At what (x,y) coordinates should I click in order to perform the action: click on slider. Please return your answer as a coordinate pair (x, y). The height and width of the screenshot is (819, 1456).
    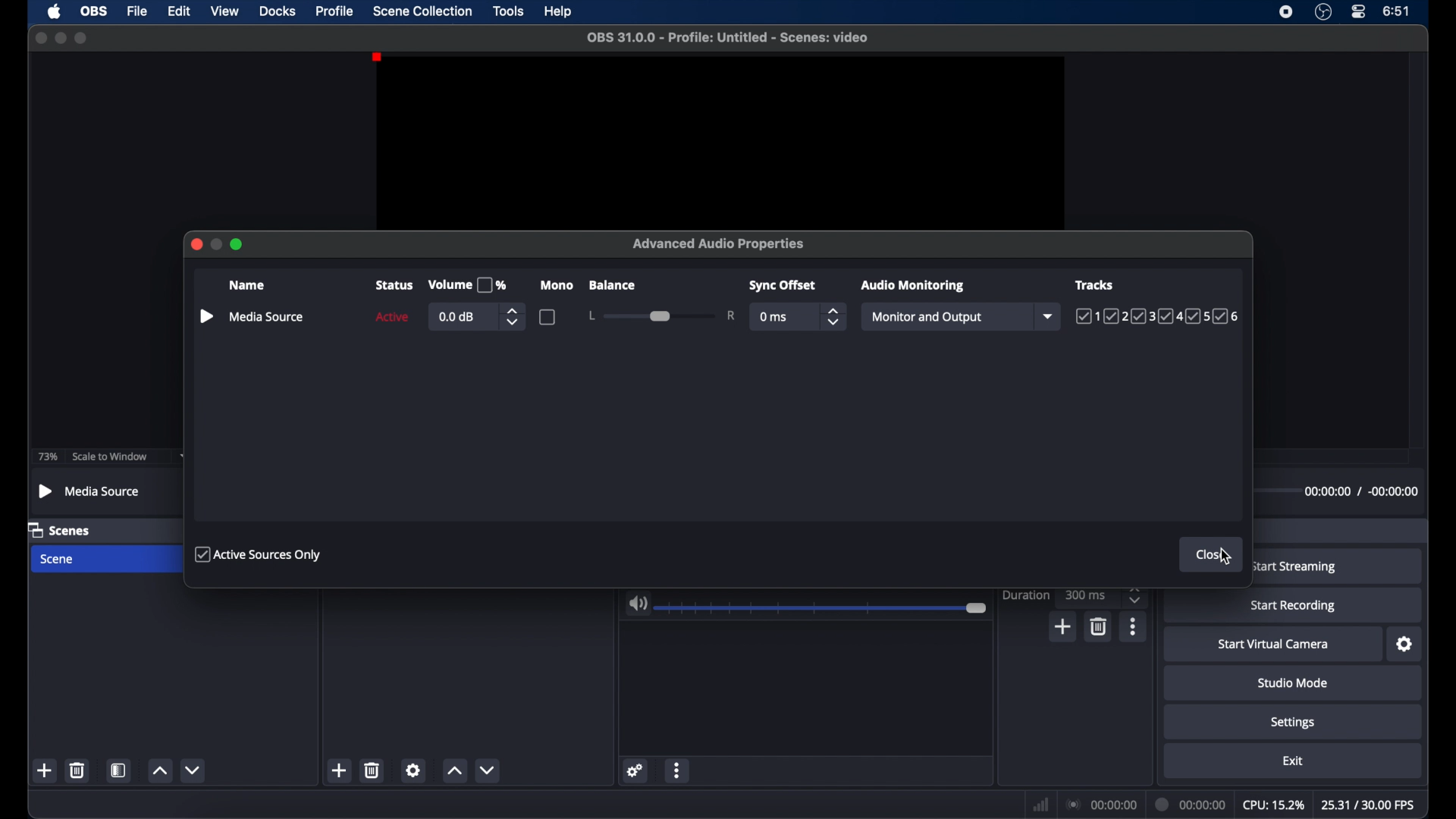
    Looking at the image, I should click on (824, 608).